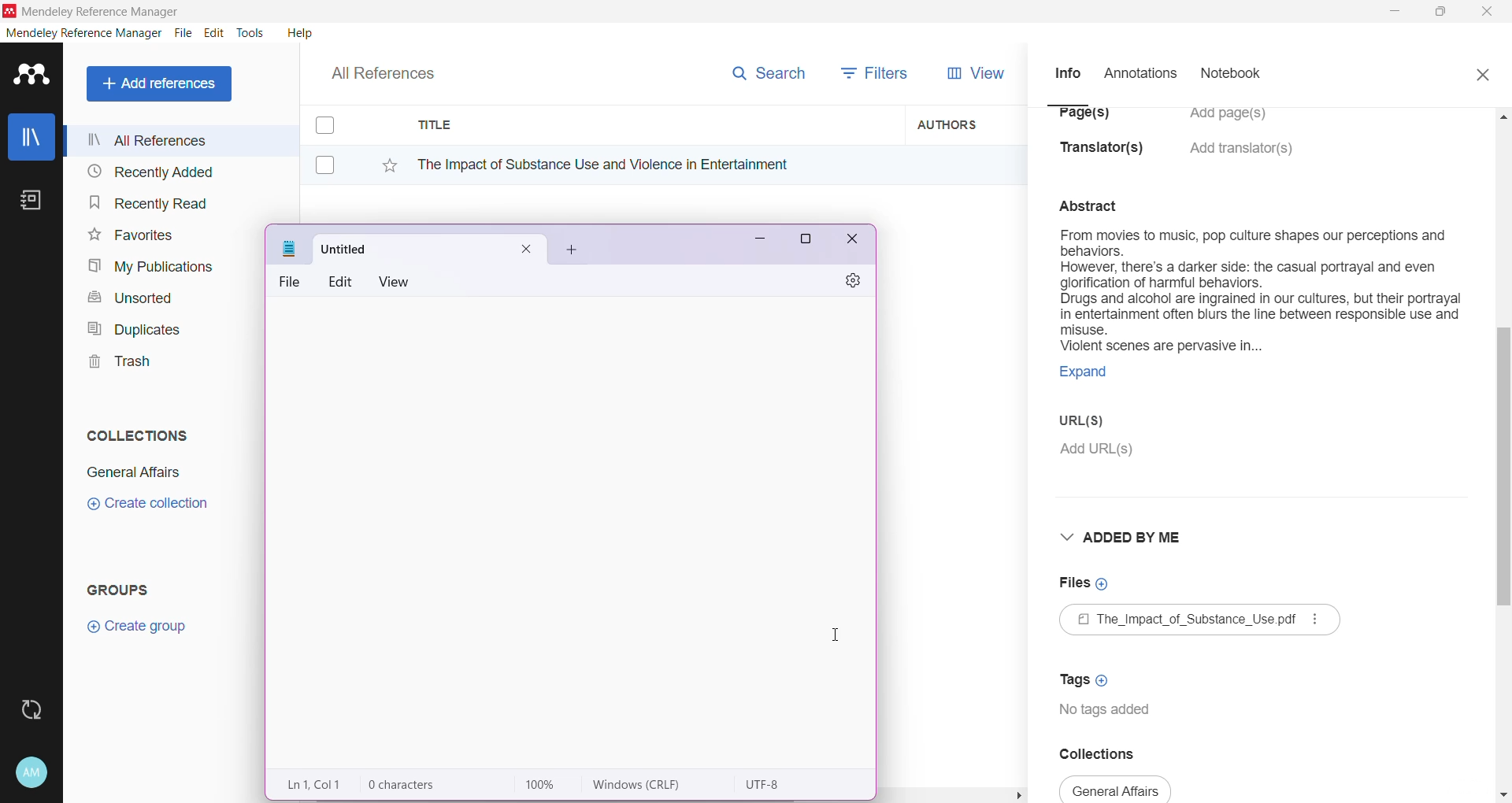 This screenshot has height=803, width=1512. What do you see at coordinates (398, 282) in the screenshot?
I see `View` at bounding box center [398, 282].